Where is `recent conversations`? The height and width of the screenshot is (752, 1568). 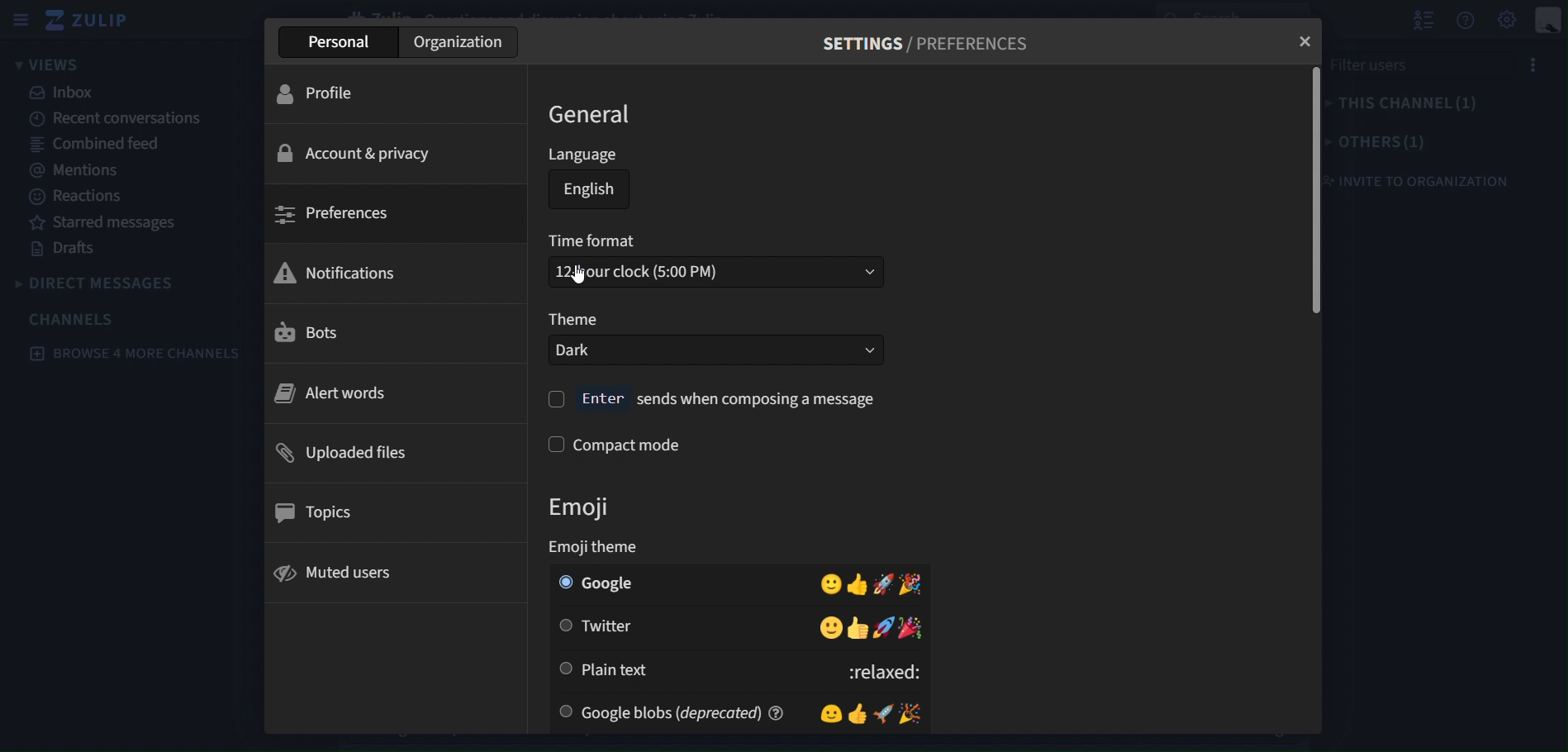
recent conversations is located at coordinates (128, 121).